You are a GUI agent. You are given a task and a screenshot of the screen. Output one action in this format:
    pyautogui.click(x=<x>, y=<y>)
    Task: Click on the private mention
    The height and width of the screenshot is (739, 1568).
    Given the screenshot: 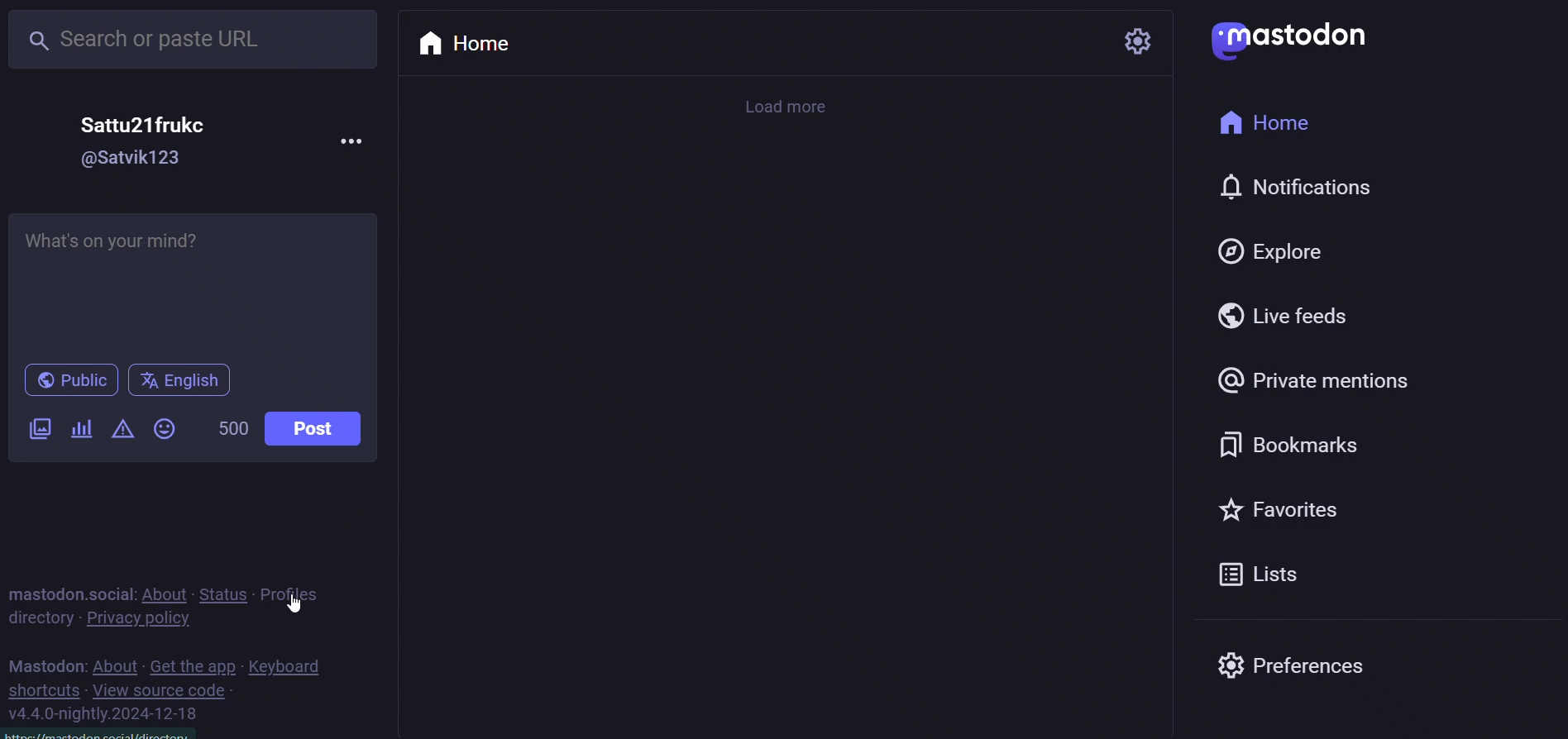 What is the action you would take?
    pyautogui.click(x=1315, y=382)
    